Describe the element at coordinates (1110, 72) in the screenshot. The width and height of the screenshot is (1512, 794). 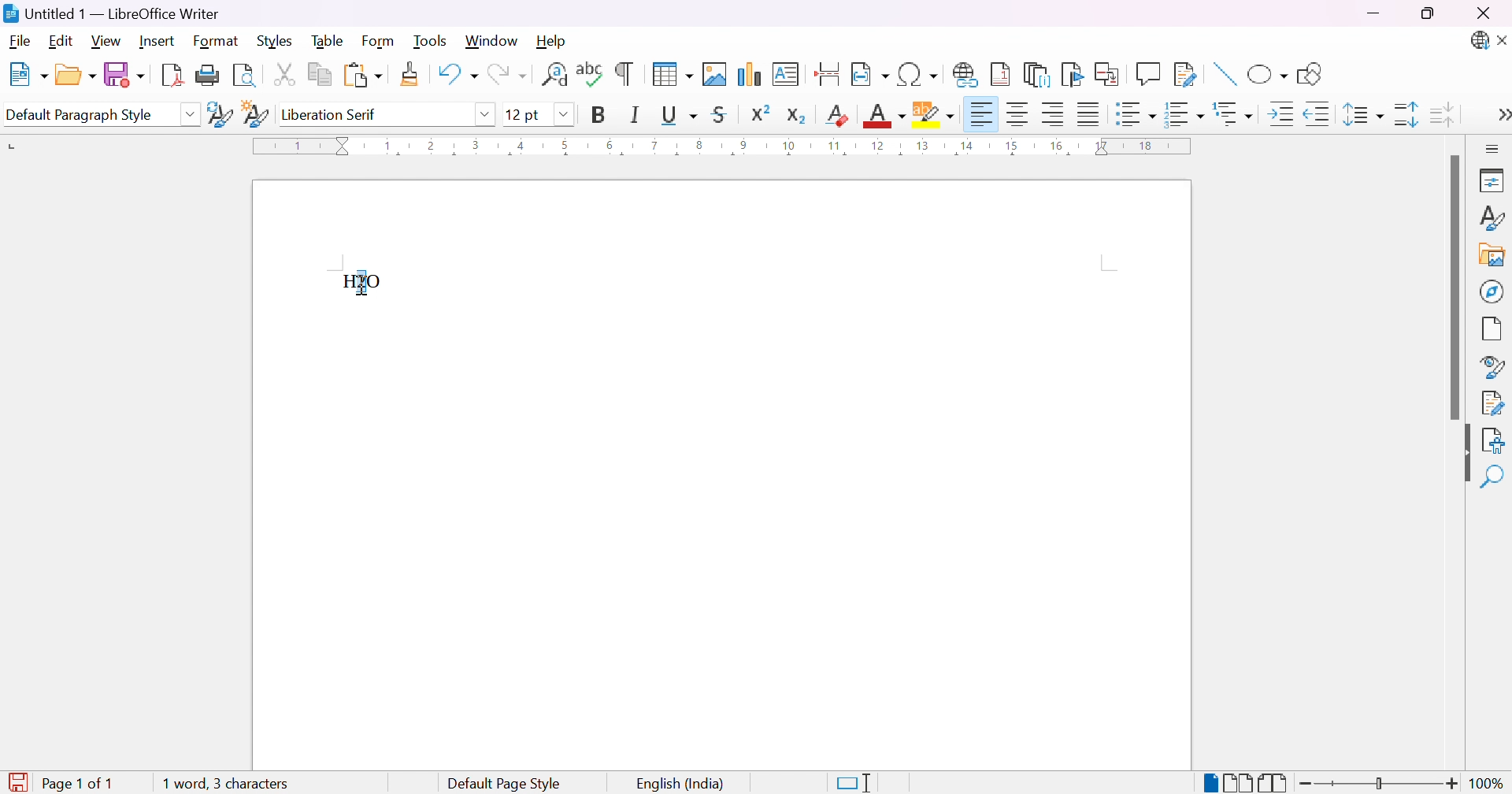
I see `Insert cross-reference` at that location.